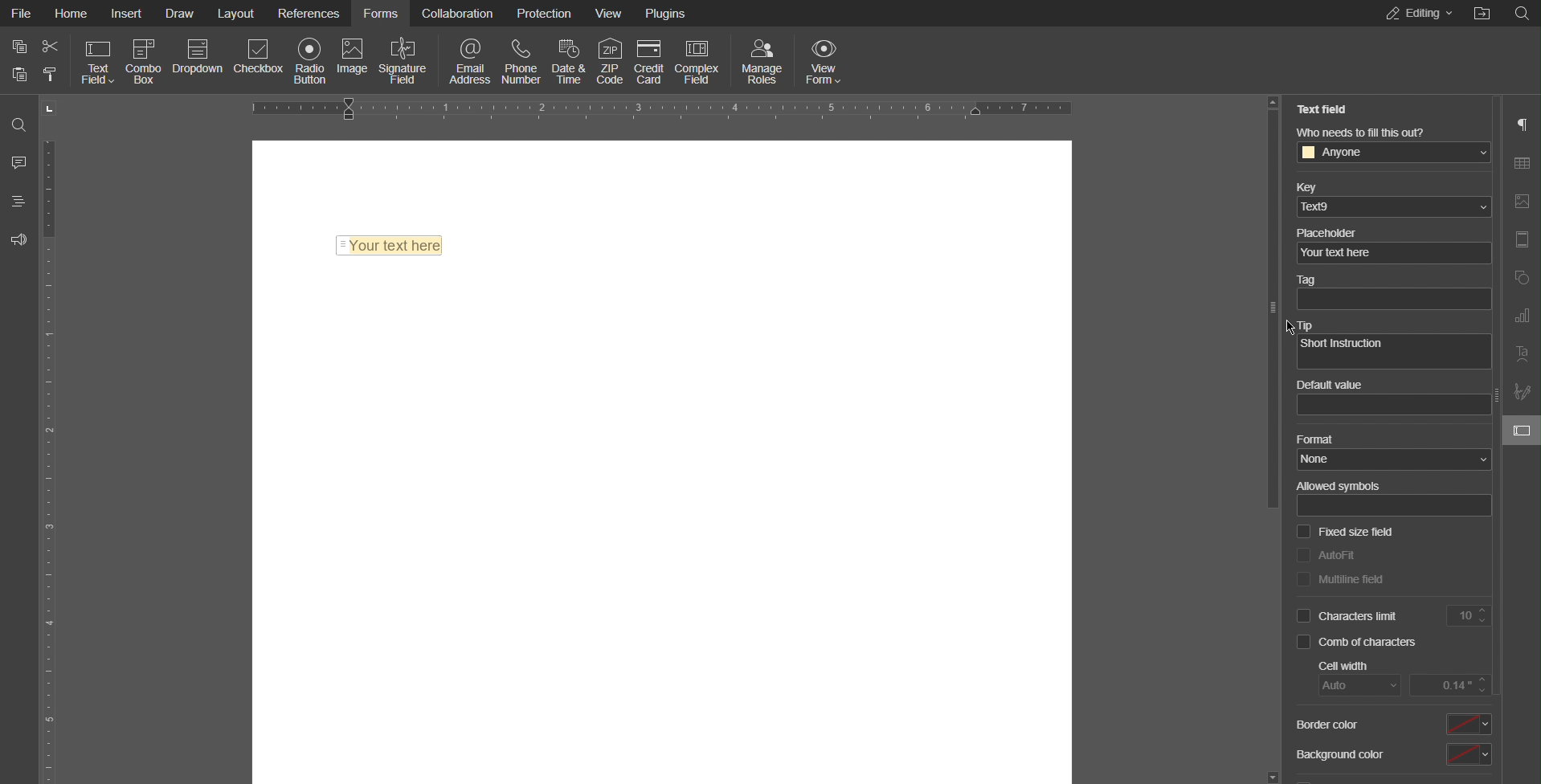 The height and width of the screenshot is (784, 1541). I want to click on input cell width , so click(1453, 685).